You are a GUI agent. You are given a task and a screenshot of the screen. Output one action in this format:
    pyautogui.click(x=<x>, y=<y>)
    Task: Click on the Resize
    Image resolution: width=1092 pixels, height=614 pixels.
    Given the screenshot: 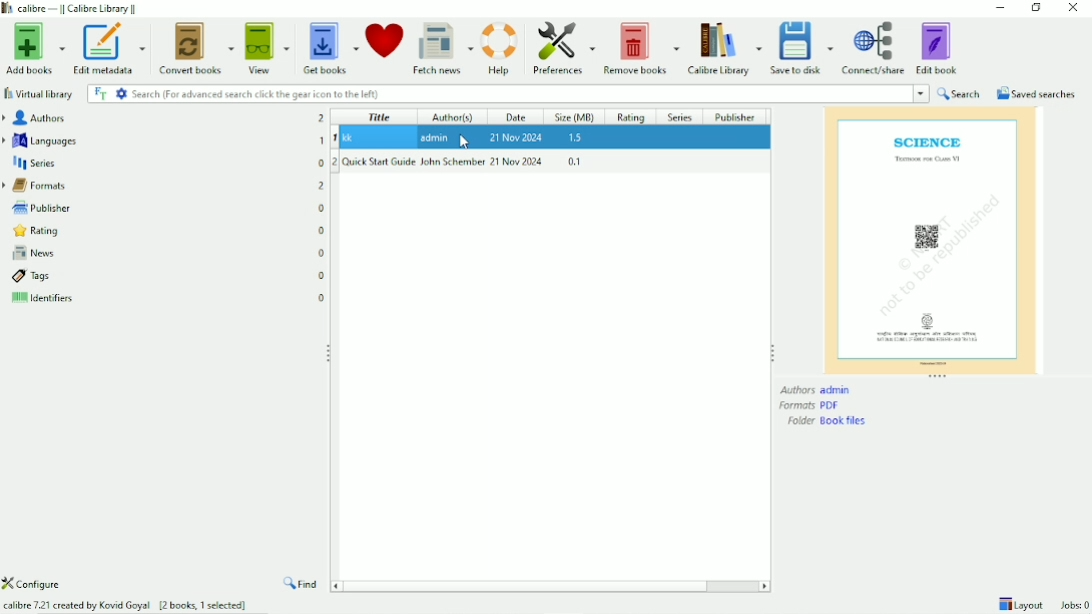 What is the action you would take?
    pyautogui.click(x=937, y=377)
    